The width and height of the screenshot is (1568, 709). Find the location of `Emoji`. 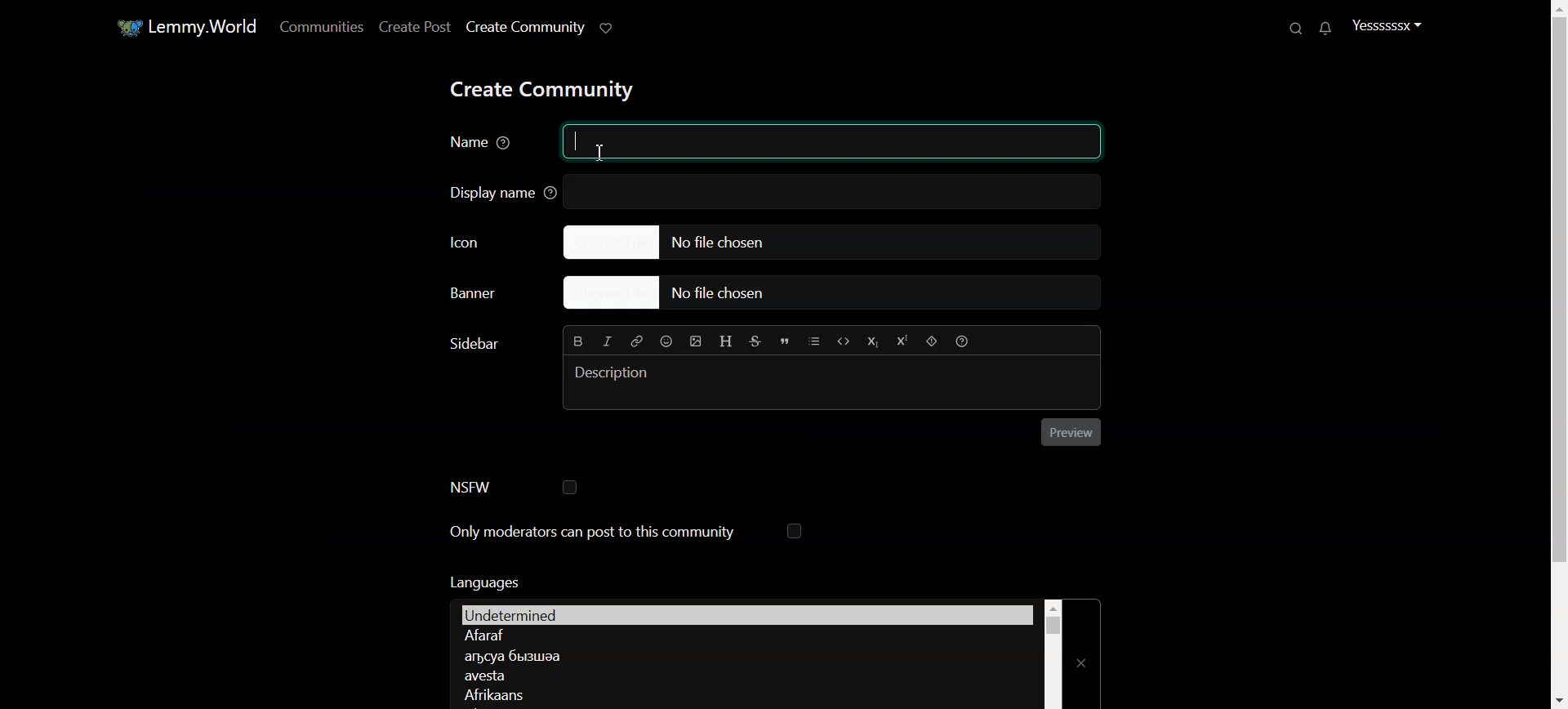

Emoji is located at coordinates (667, 341).